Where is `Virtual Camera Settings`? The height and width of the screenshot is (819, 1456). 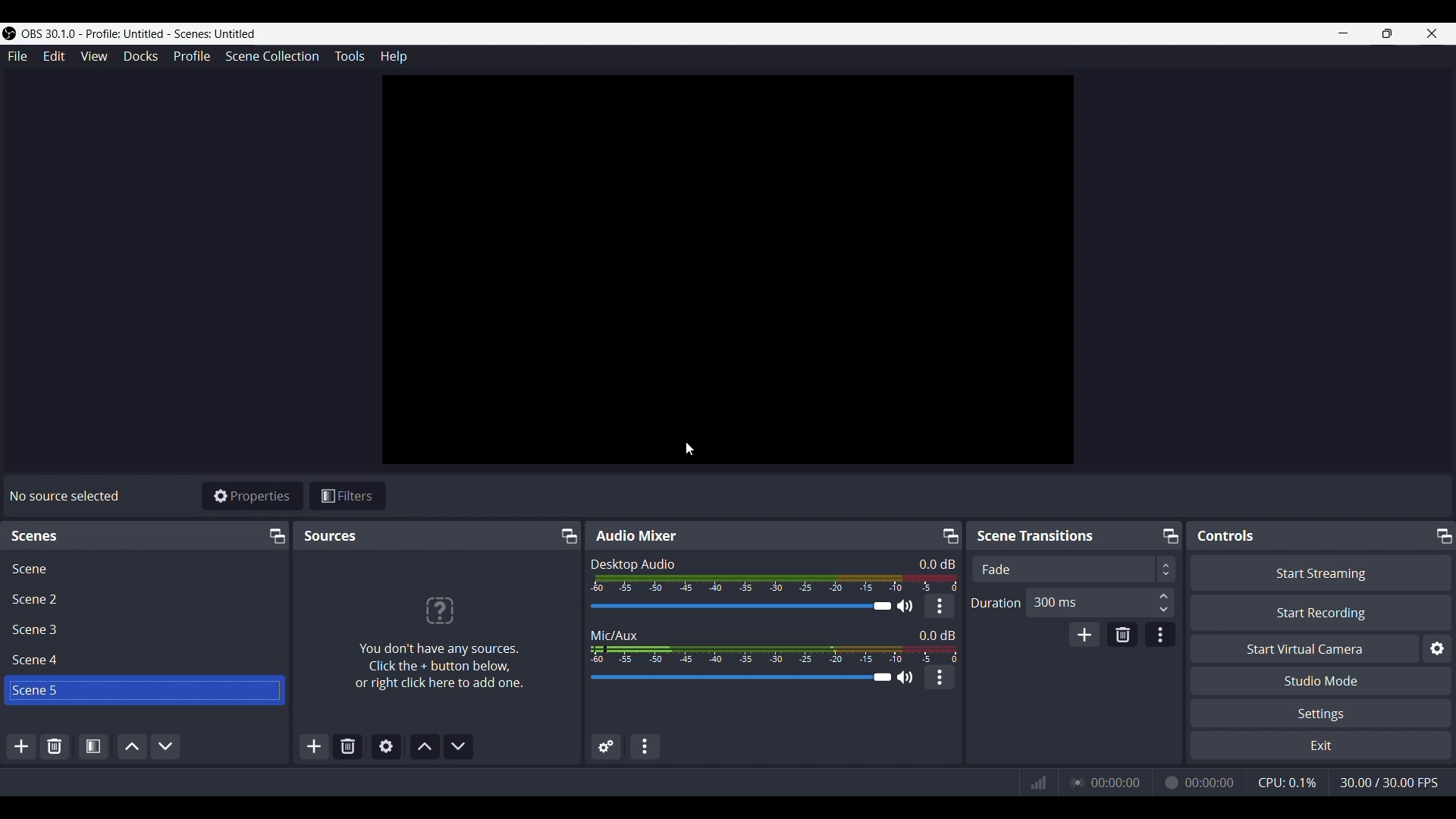 Virtual Camera Settings is located at coordinates (1437, 648).